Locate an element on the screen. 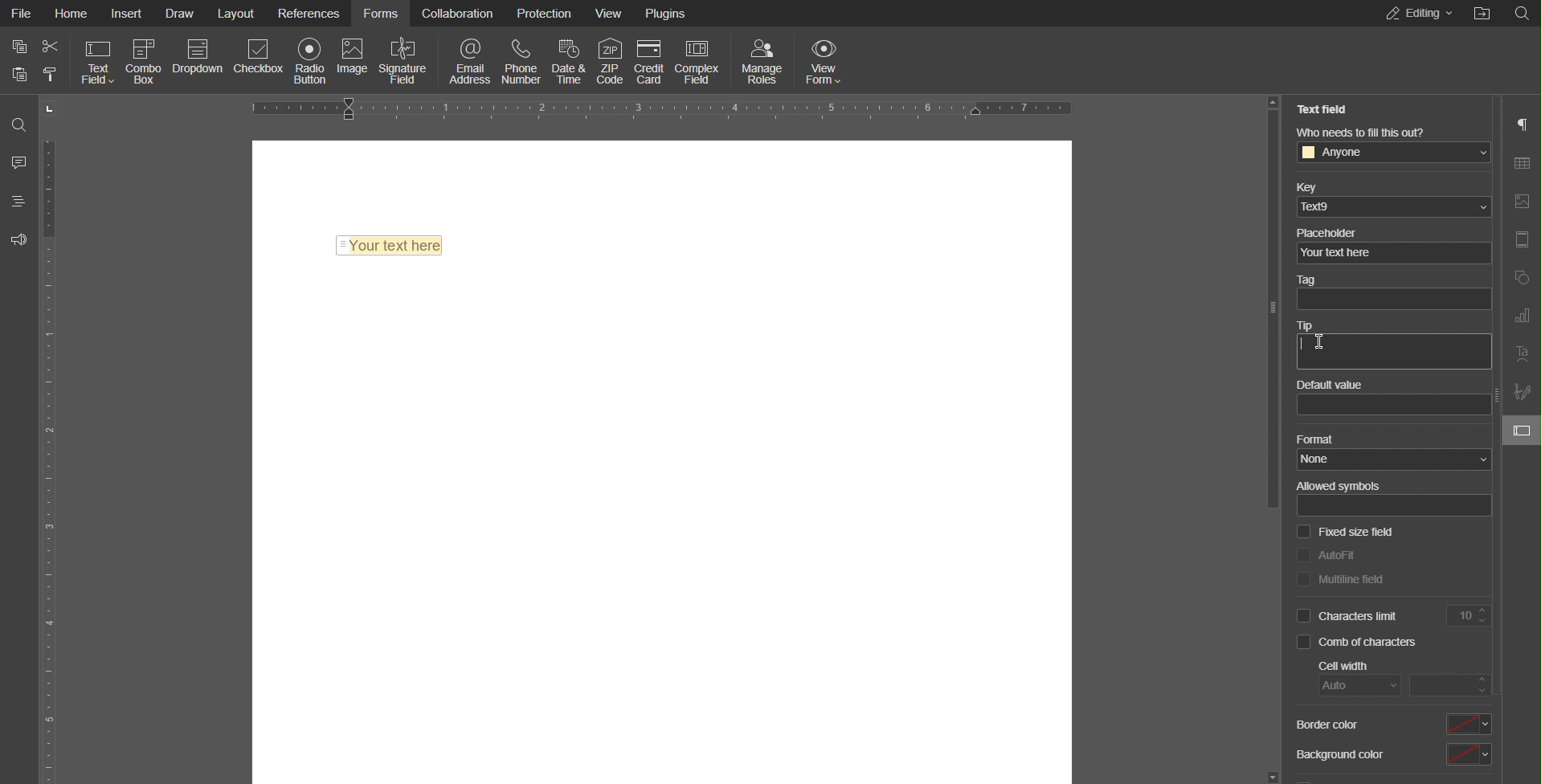  Text Field is located at coordinates (388, 247).